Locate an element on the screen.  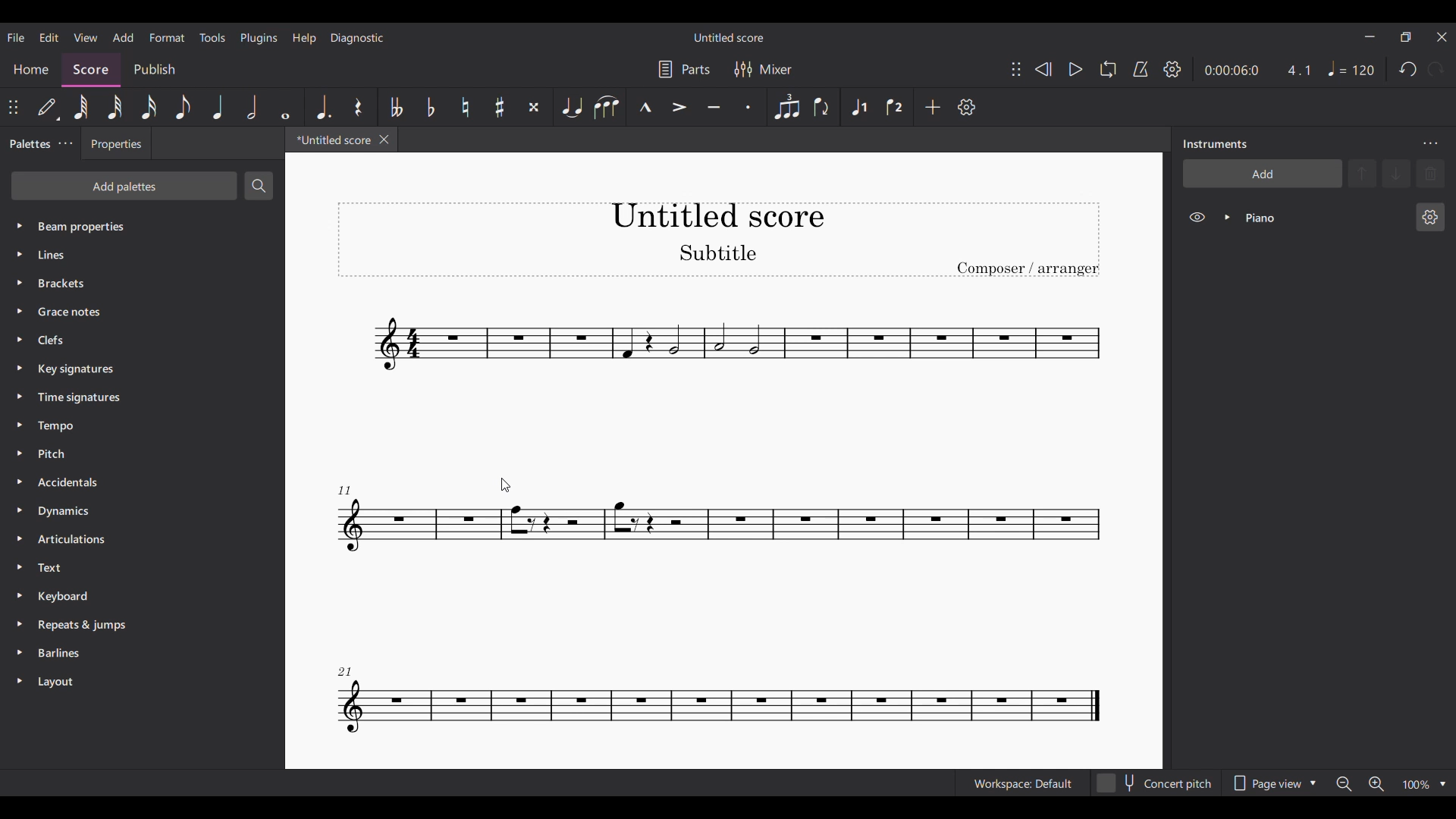
Edit menu is located at coordinates (49, 37).